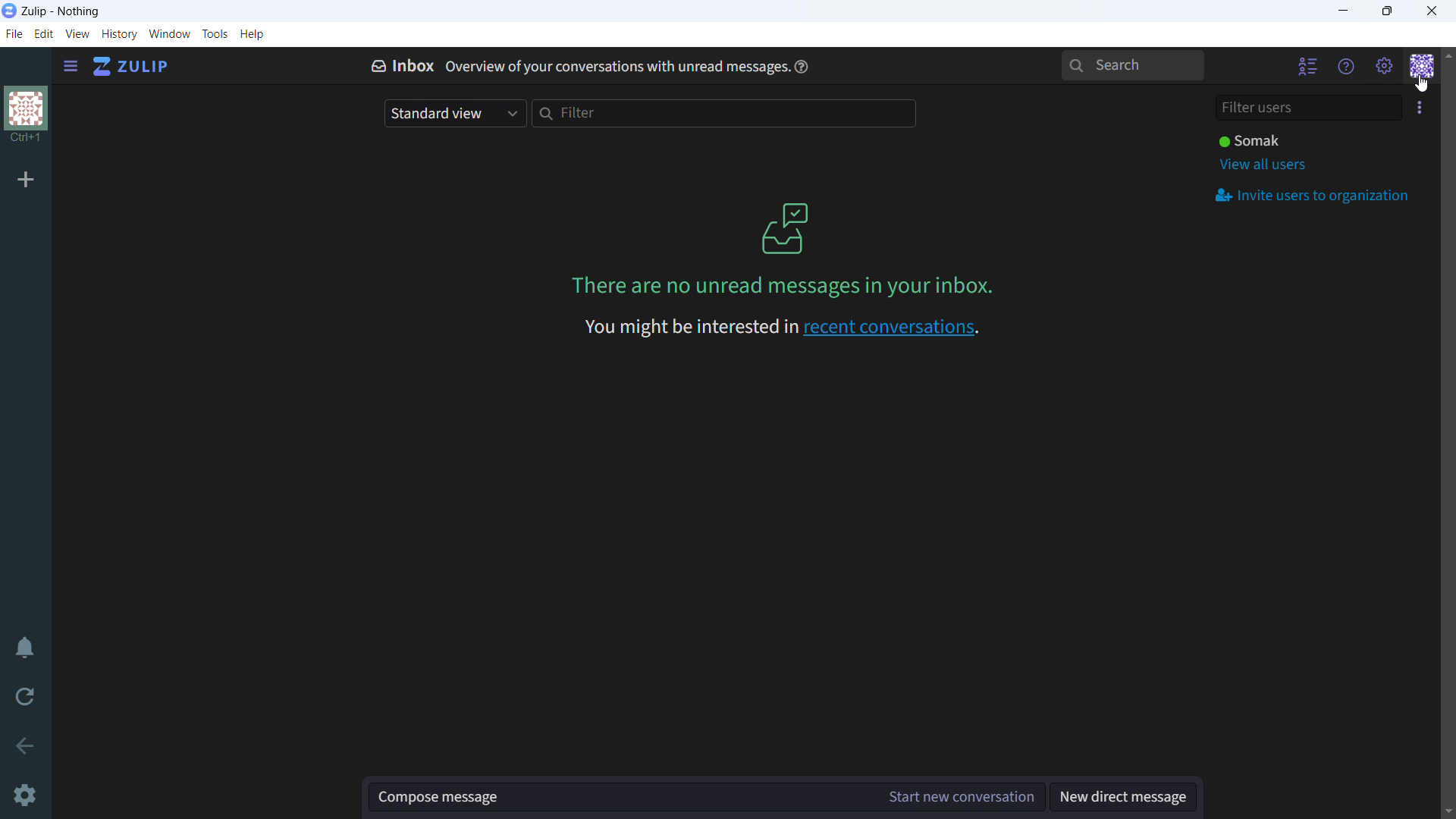 This screenshot has width=1456, height=819. I want to click on filter users, so click(1307, 107).